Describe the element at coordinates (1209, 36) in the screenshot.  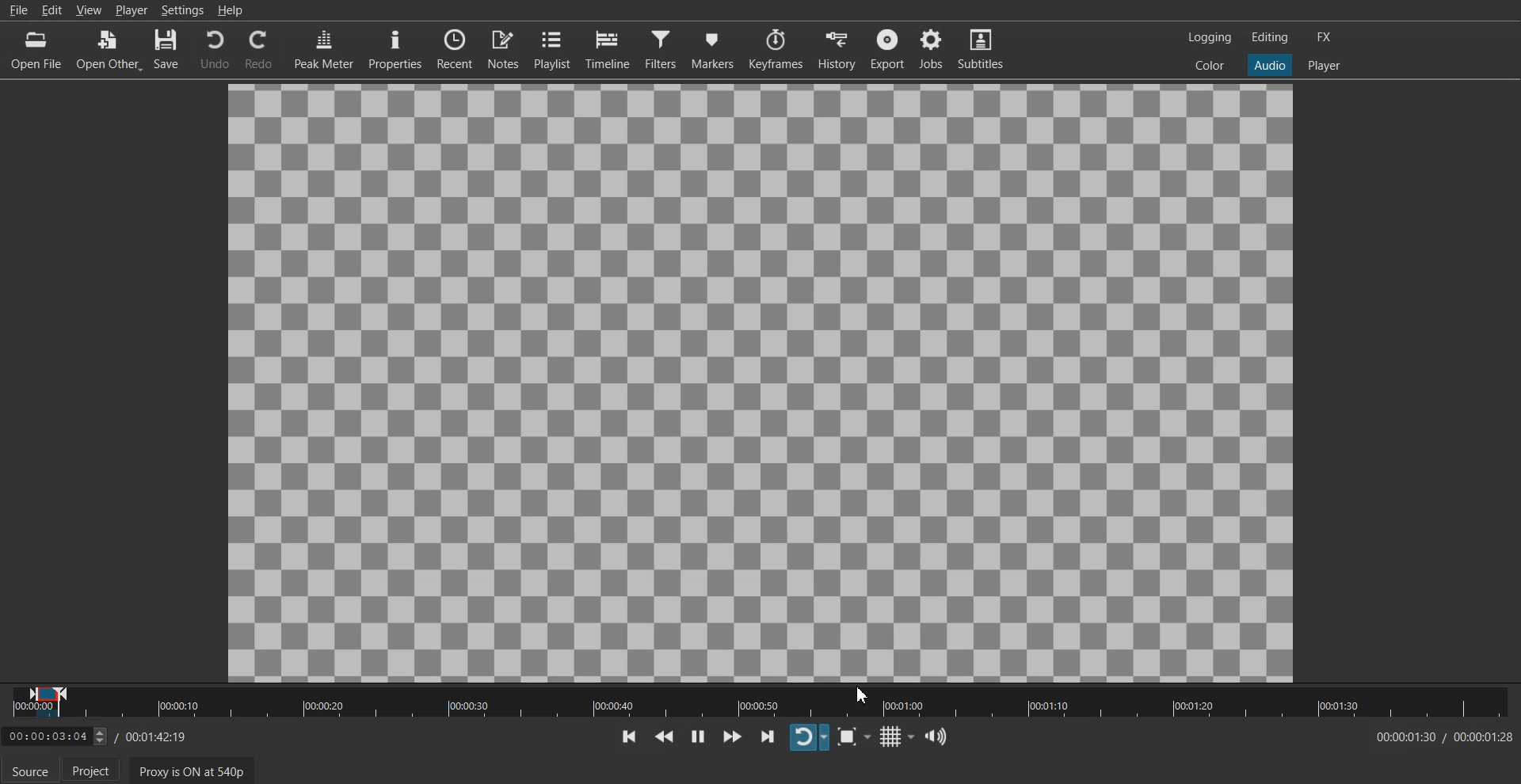
I see `Logging` at that location.